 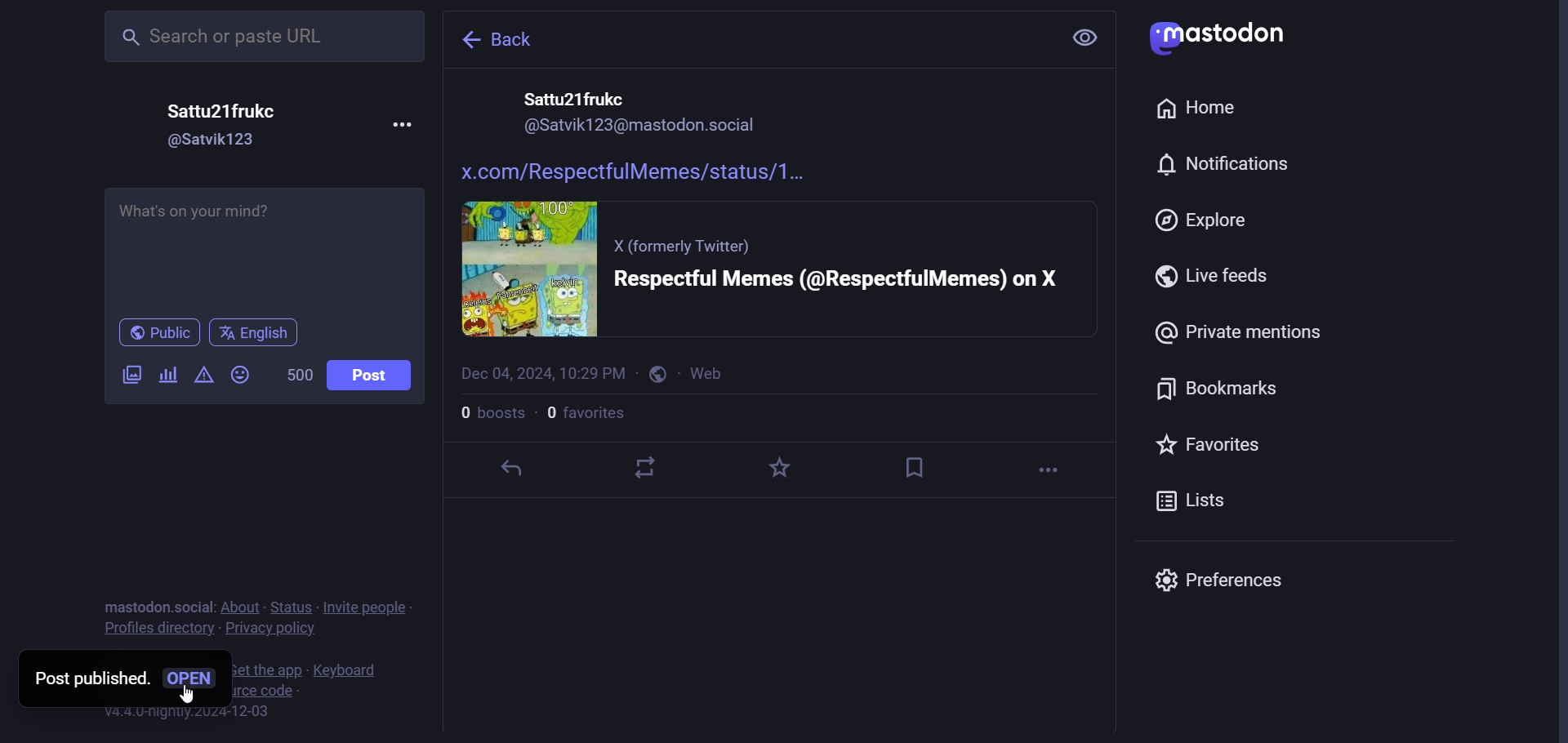 What do you see at coordinates (582, 100) in the screenshot?
I see `name` at bounding box center [582, 100].